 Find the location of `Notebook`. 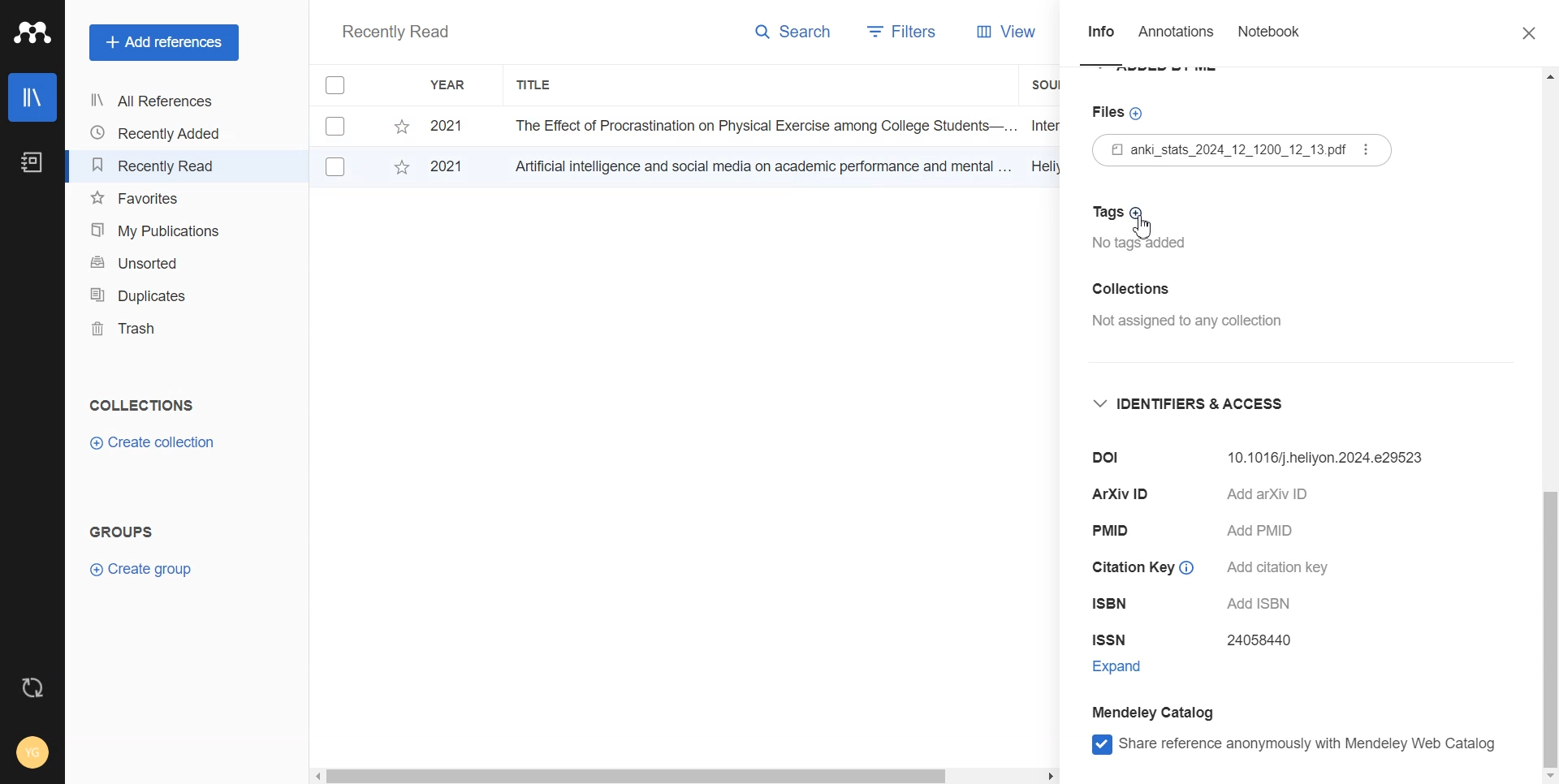

Notebook is located at coordinates (1268, 35).